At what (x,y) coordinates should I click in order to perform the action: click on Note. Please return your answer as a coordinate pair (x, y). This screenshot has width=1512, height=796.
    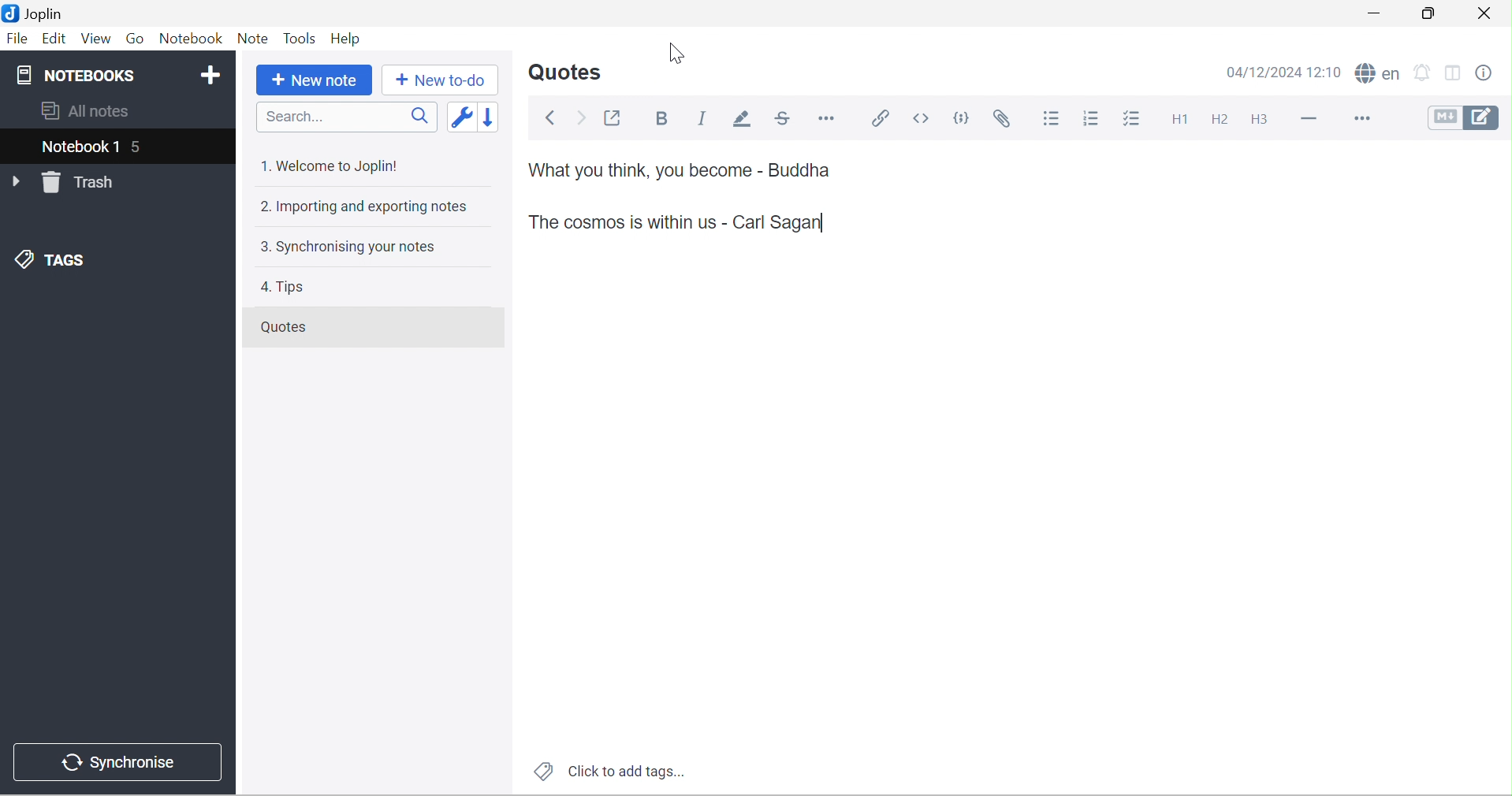
    Looking at the image, I should click on (255, 39).